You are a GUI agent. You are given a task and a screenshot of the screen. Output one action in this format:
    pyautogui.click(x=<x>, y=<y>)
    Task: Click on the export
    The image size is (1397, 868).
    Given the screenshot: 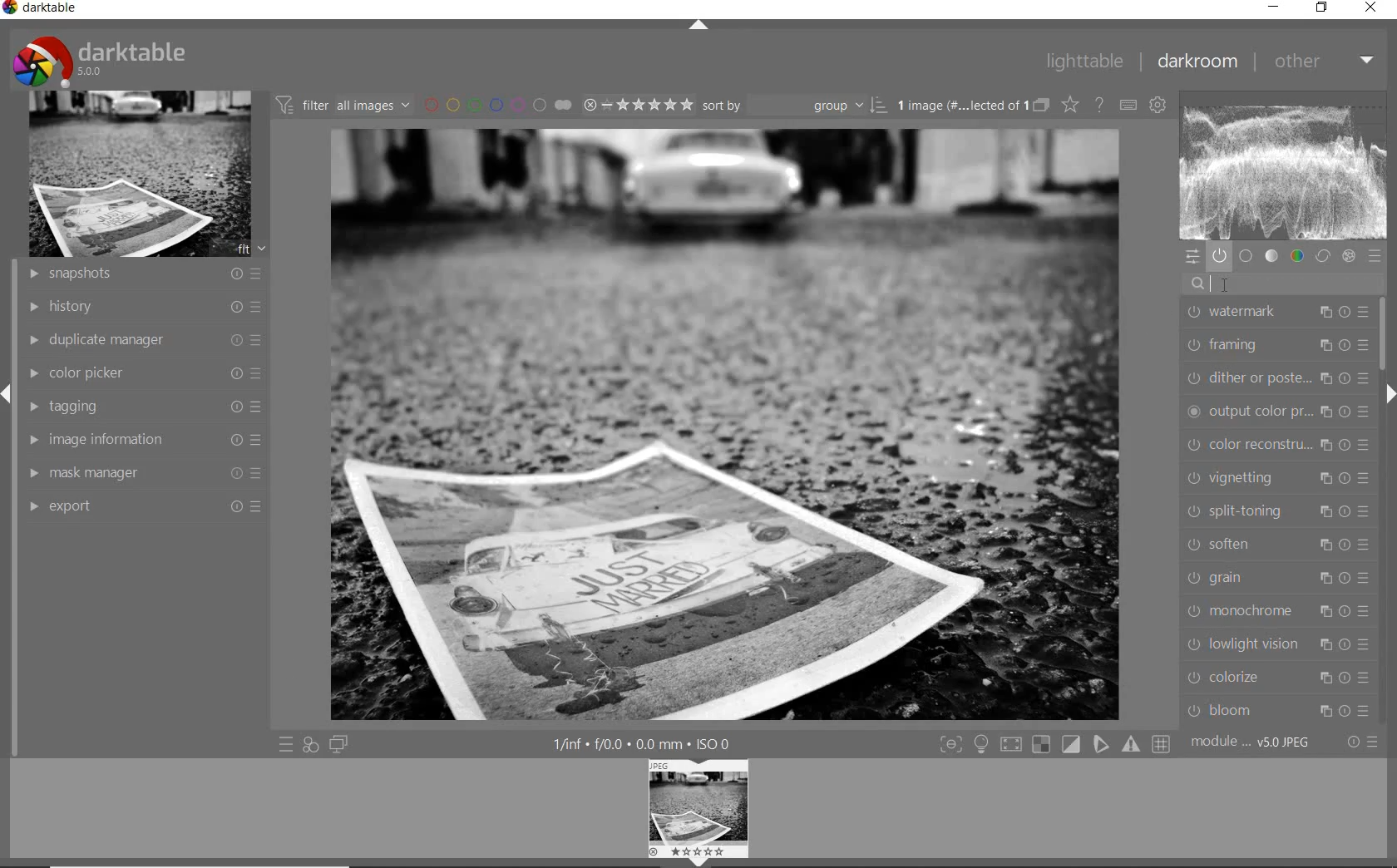 What is the action you would take?
    pyautogui.click(x=143, y=505)
    